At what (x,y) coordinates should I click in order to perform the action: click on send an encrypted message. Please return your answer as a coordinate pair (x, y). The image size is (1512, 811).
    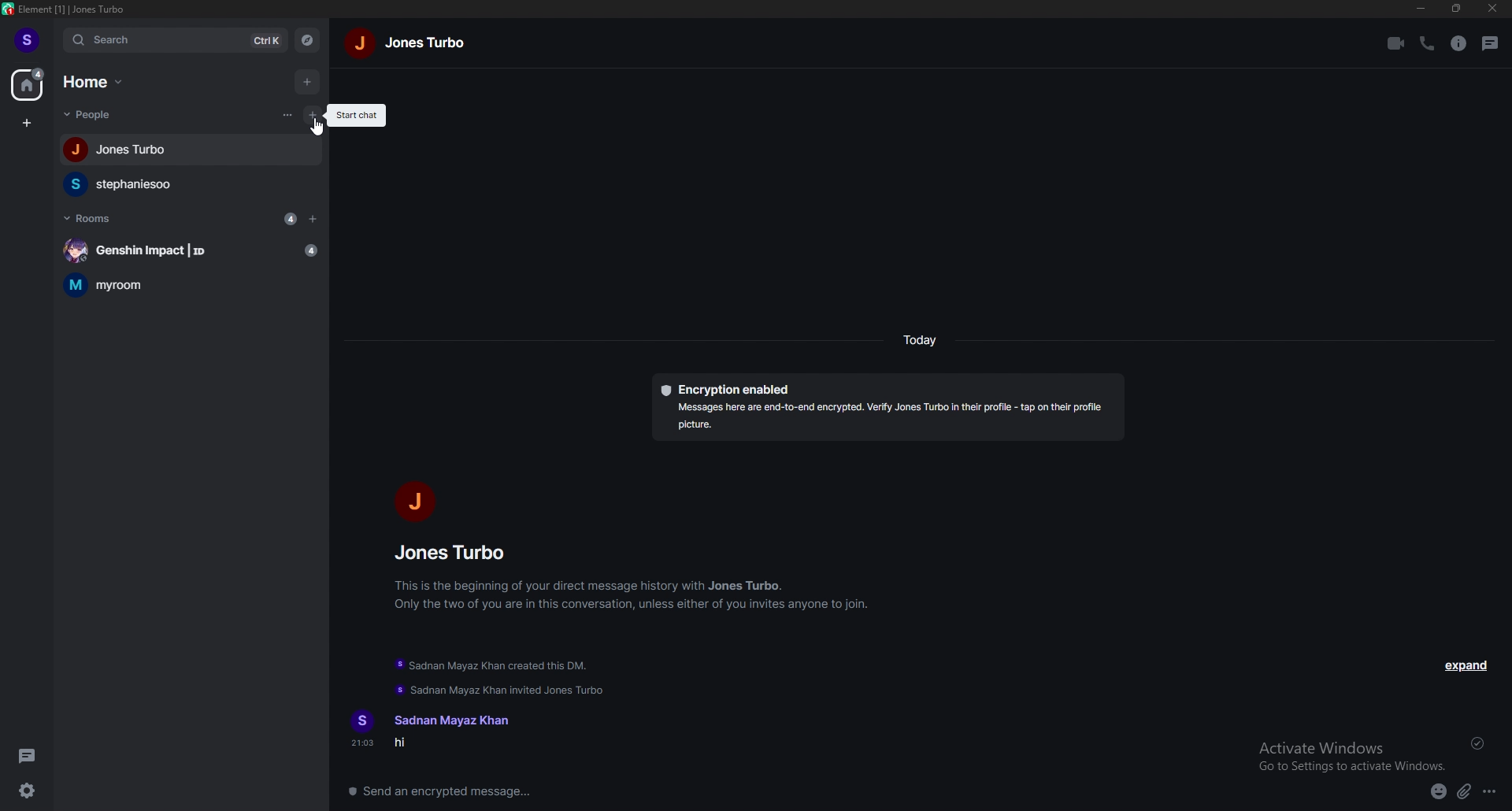
    Looking at the image, I should click on (451, 791).